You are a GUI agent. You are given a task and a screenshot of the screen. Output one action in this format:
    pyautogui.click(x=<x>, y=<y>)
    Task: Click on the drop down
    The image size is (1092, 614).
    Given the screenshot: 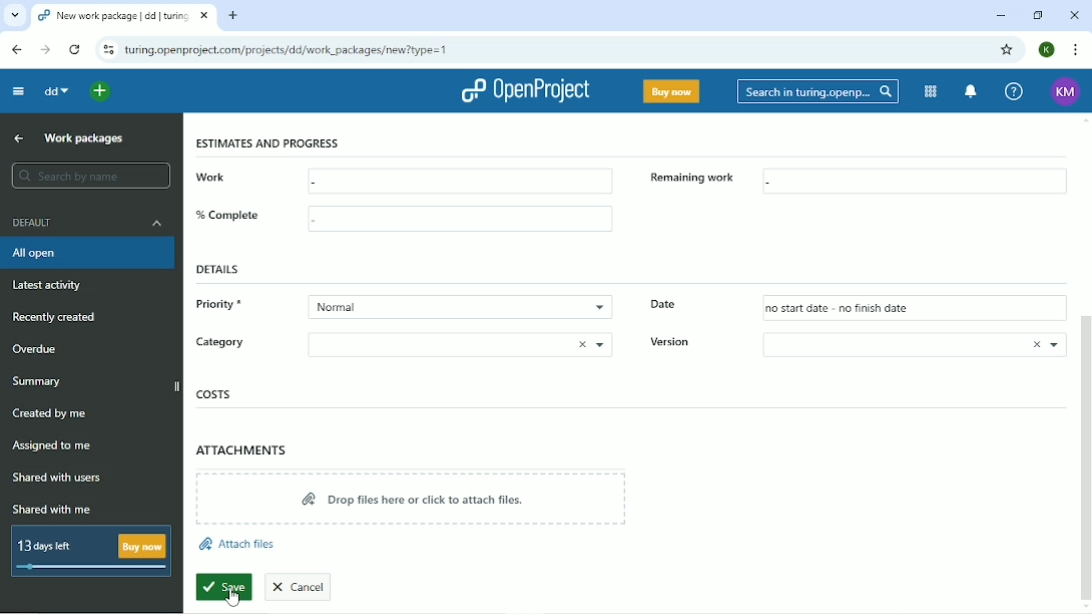 What is the action you would take?
    pyautogui.click(x=1055, y=343)
    